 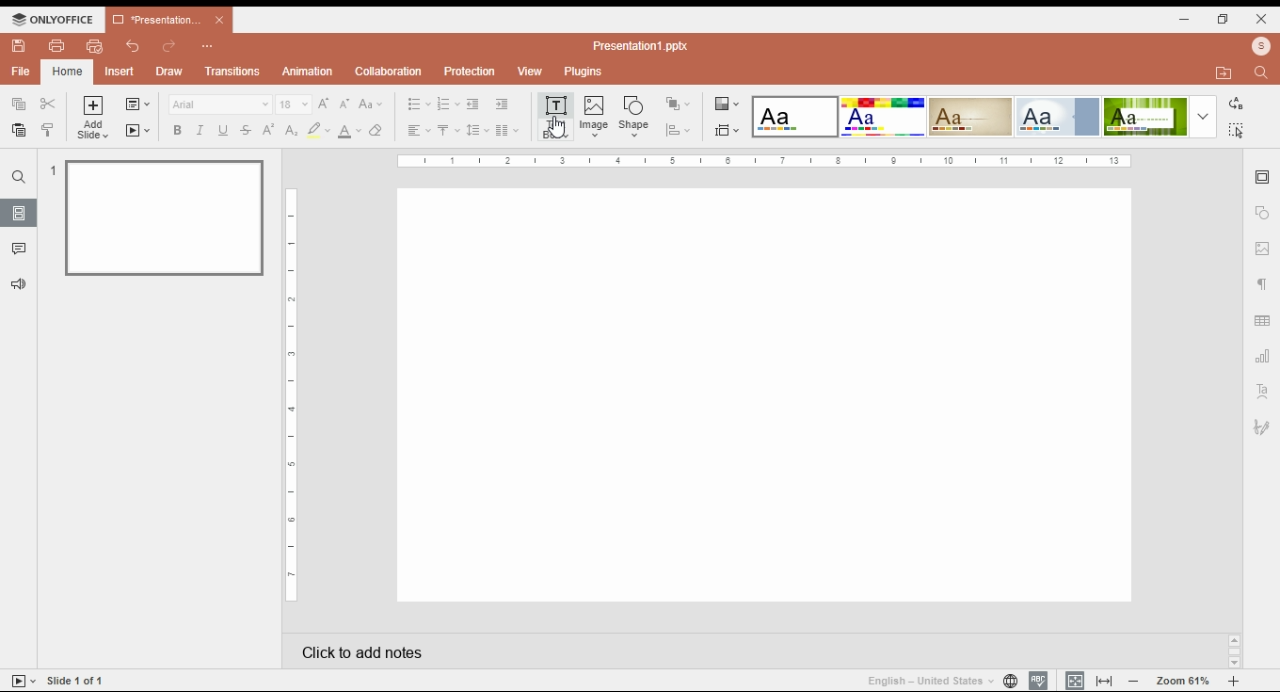 What do you see at coordinates (1072, 680) in the screenshot?
I see `fit slide` at bounding box center [1072, 680].